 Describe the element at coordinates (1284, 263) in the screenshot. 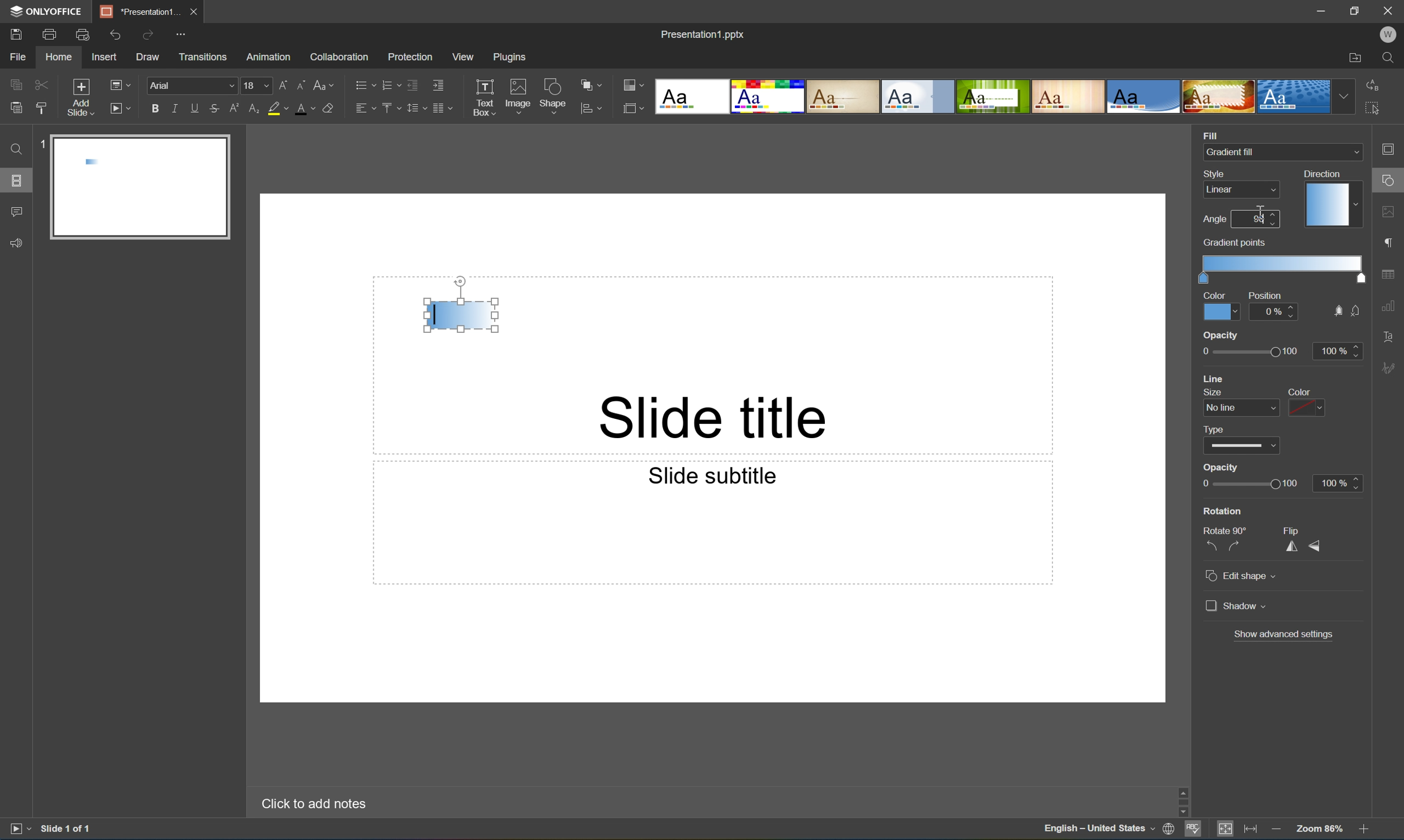

I see `Gradient scale` at that location.